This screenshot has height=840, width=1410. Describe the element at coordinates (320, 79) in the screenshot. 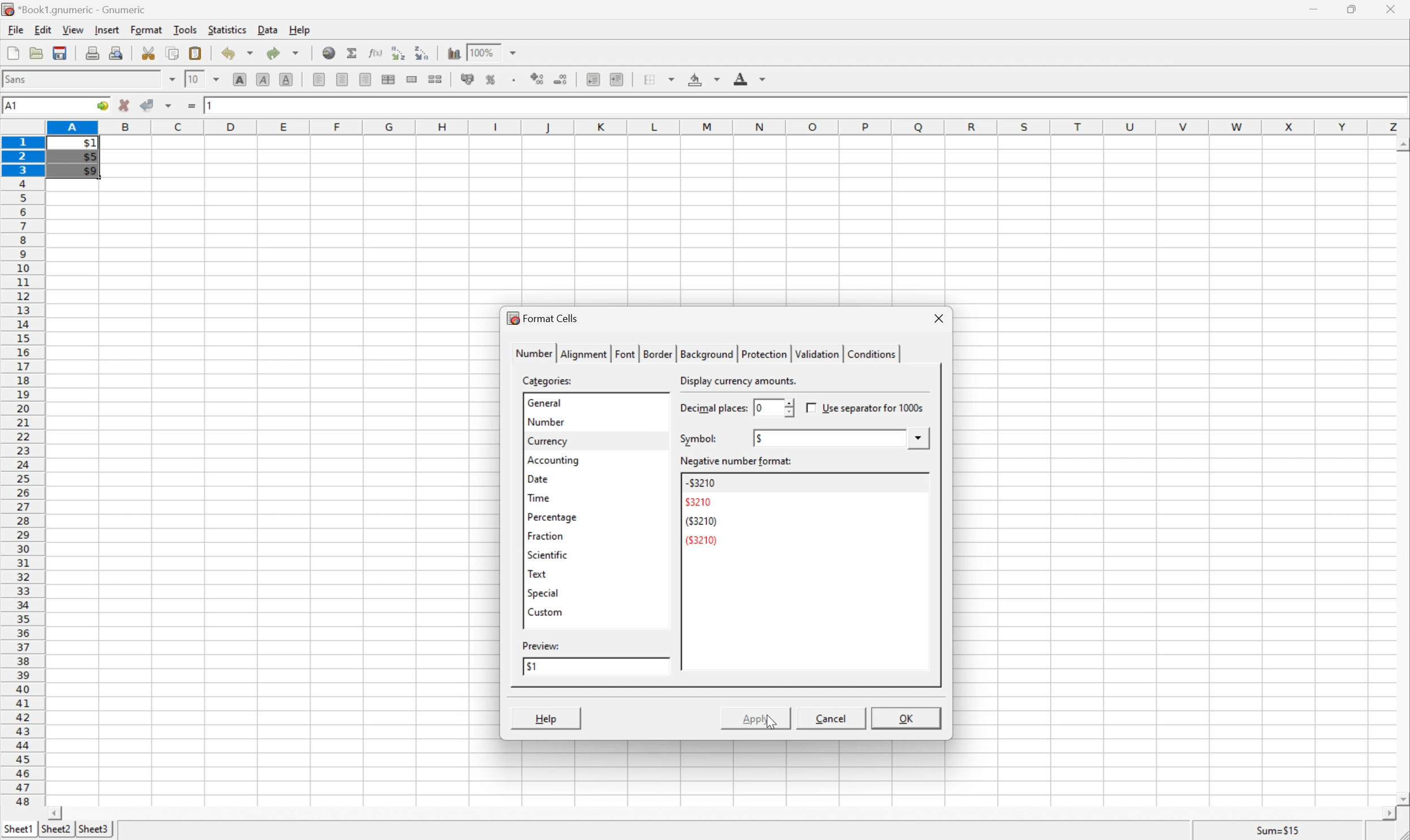

I see `align left` at that location.